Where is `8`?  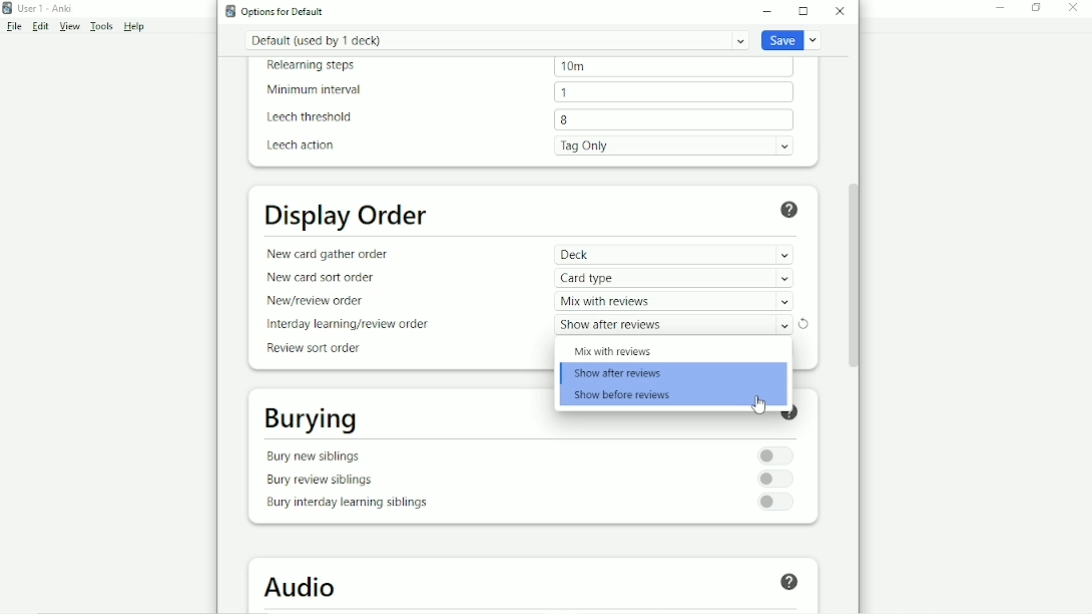
8 is located at coordinates (674, 119).